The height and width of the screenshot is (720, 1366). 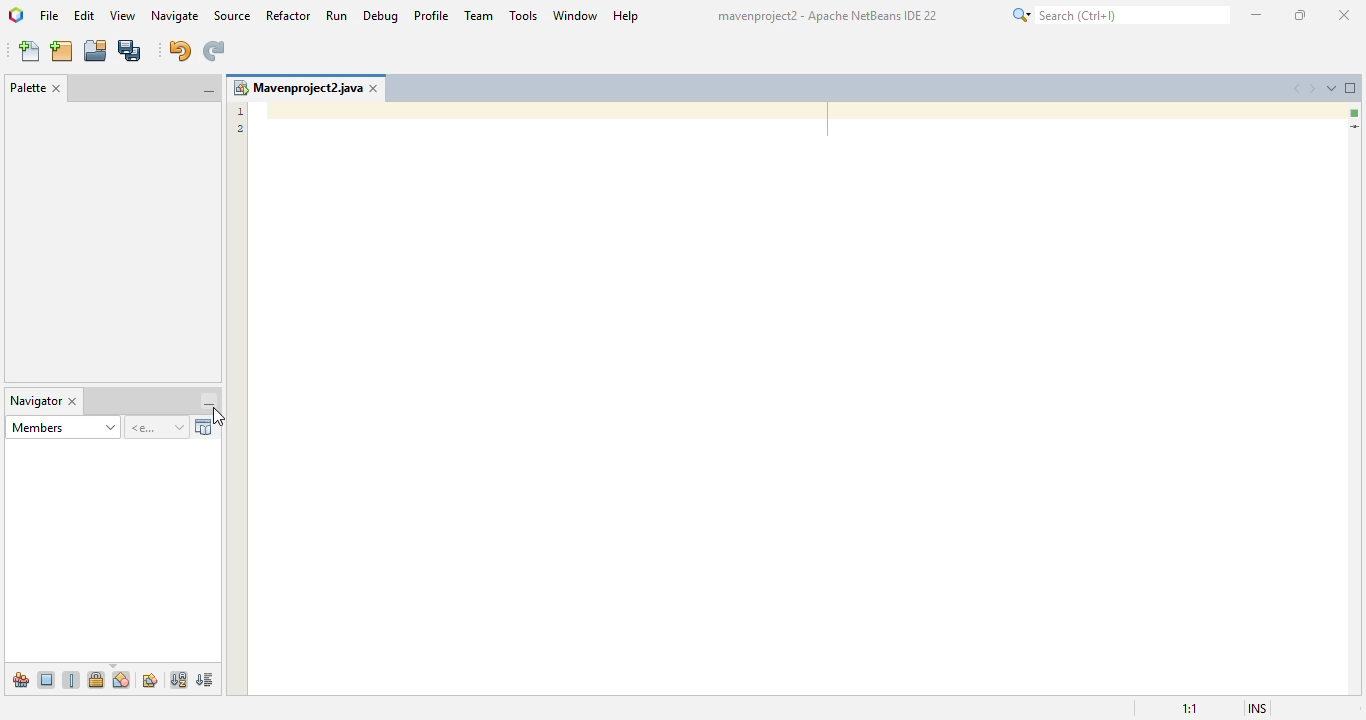 What do you see at coordinates (150, 680) in the screenshot?
I see `full qualified names` at bounding box center [150, 680].